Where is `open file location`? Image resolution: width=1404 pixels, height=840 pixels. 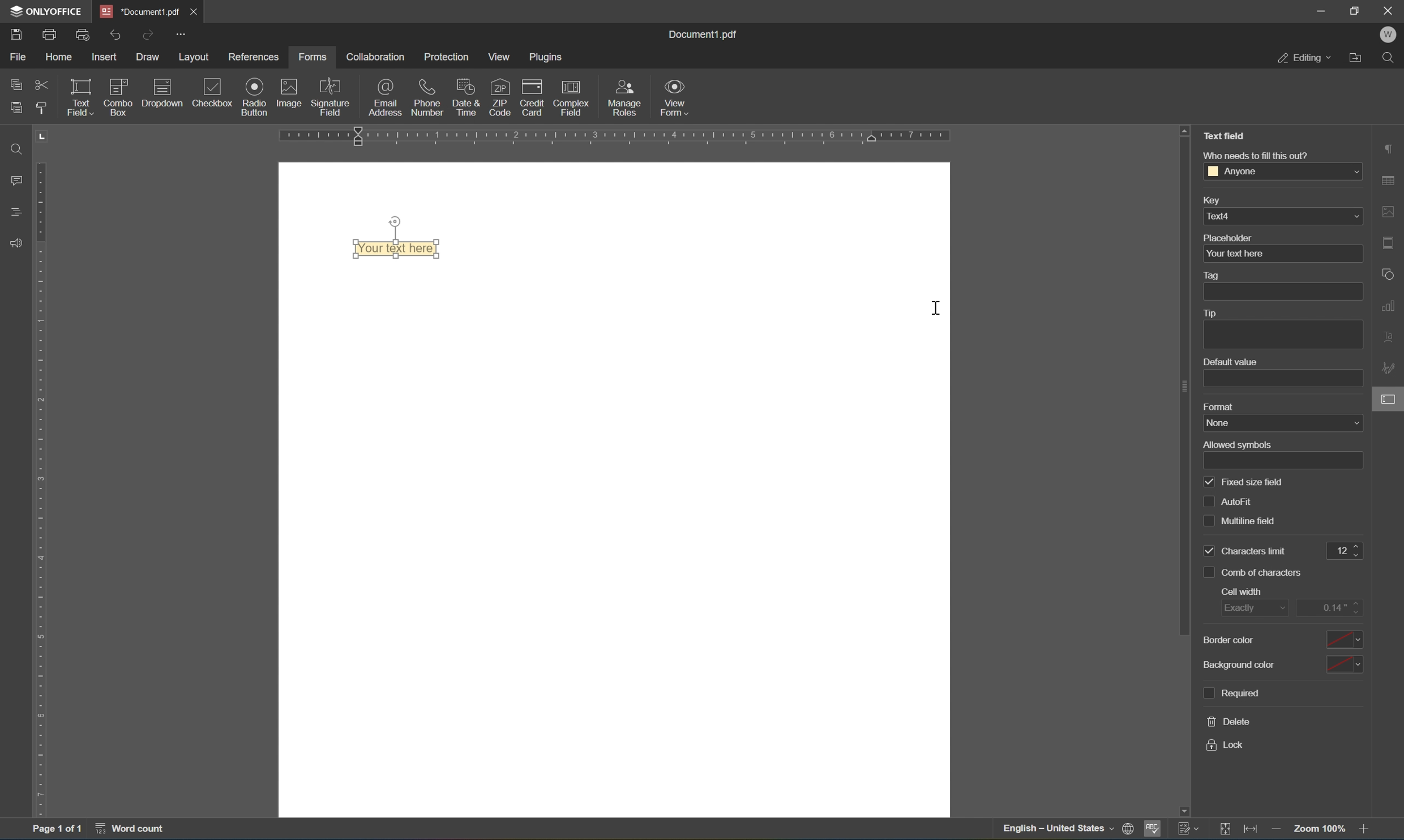 open file location is located at coordinates (1356, 59).